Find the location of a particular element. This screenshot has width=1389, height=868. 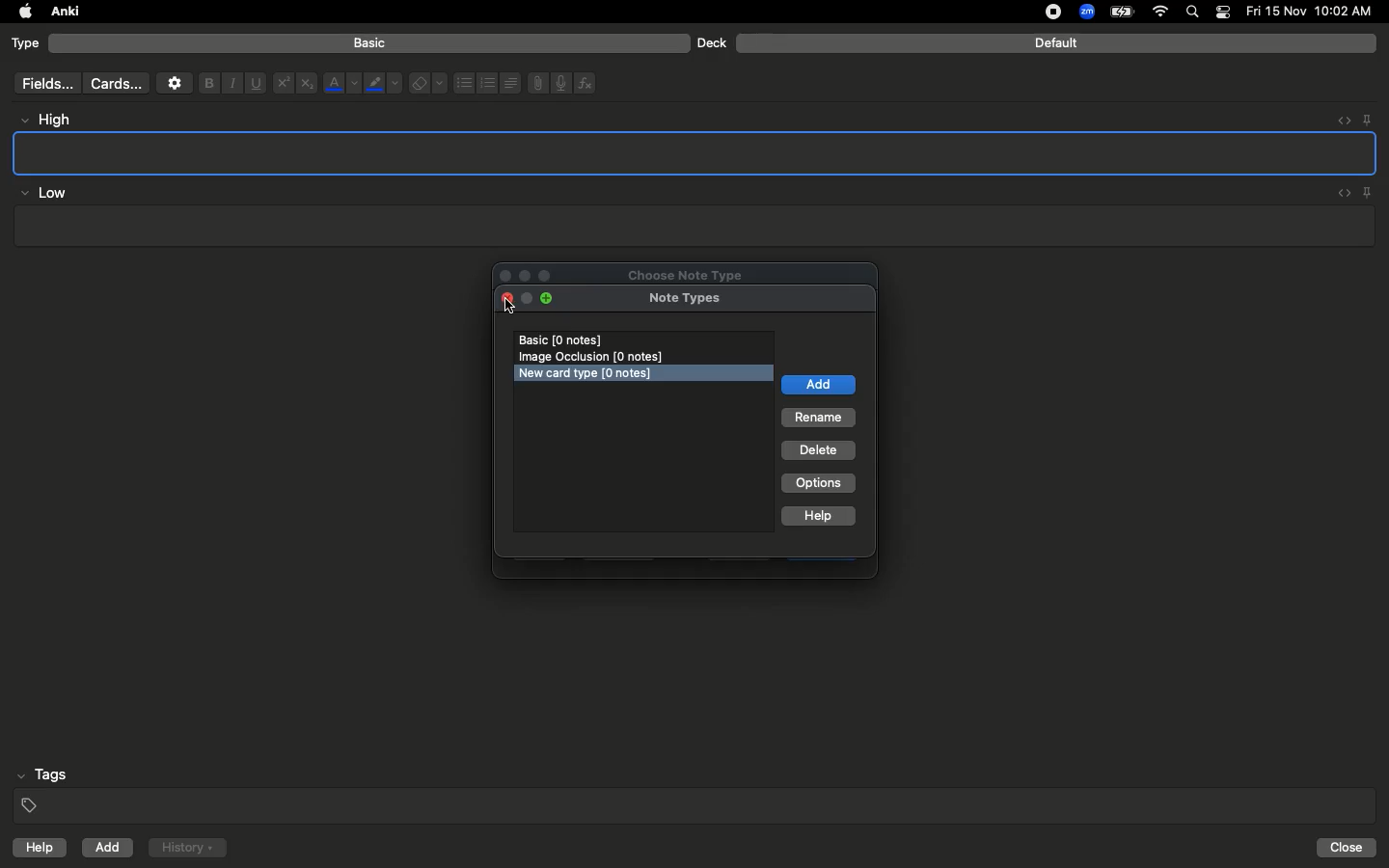

High is located at coordinates (54, 120).